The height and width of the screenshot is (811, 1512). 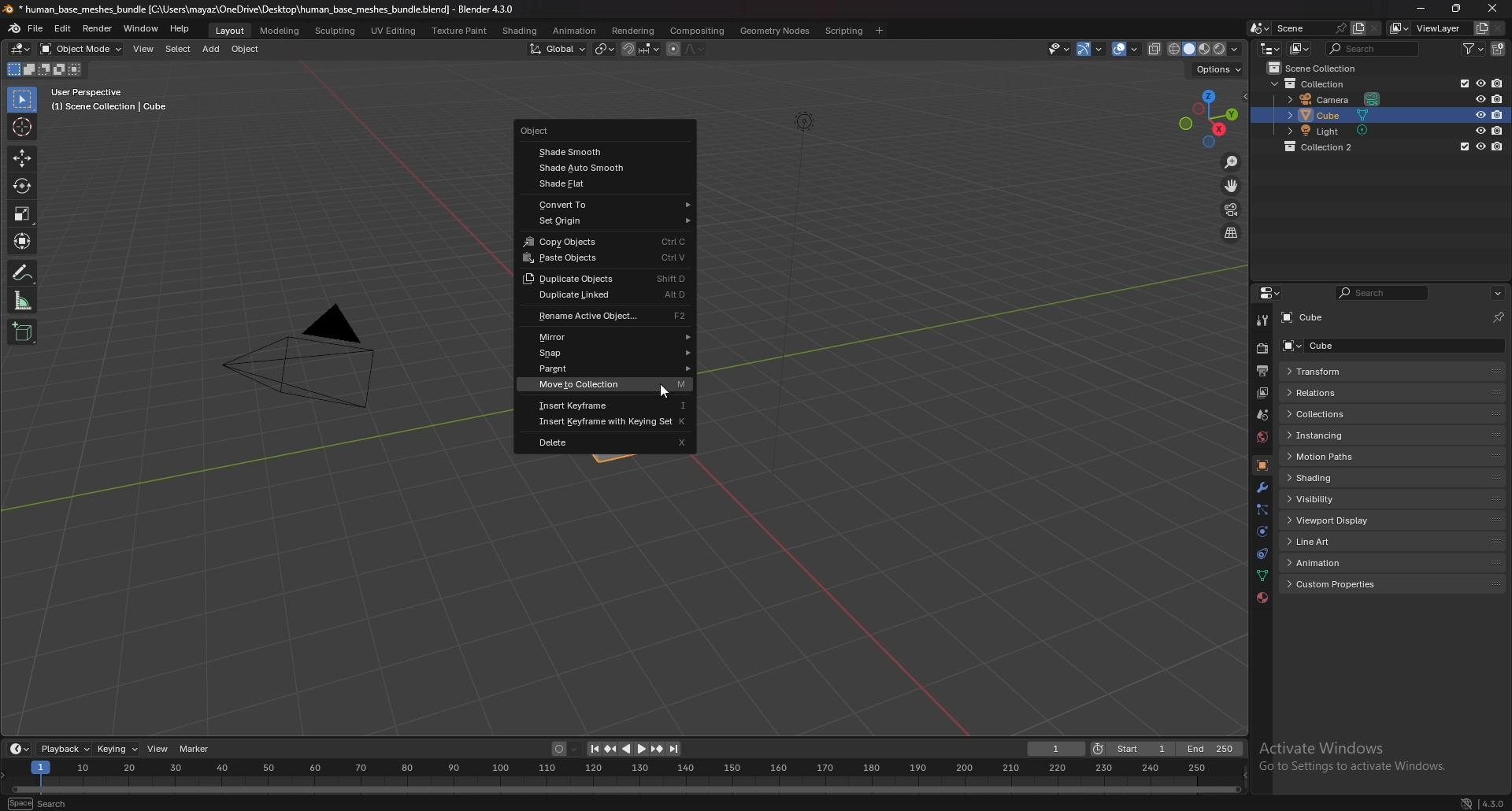 I want to click on editor type, so click(x=20, y=748).